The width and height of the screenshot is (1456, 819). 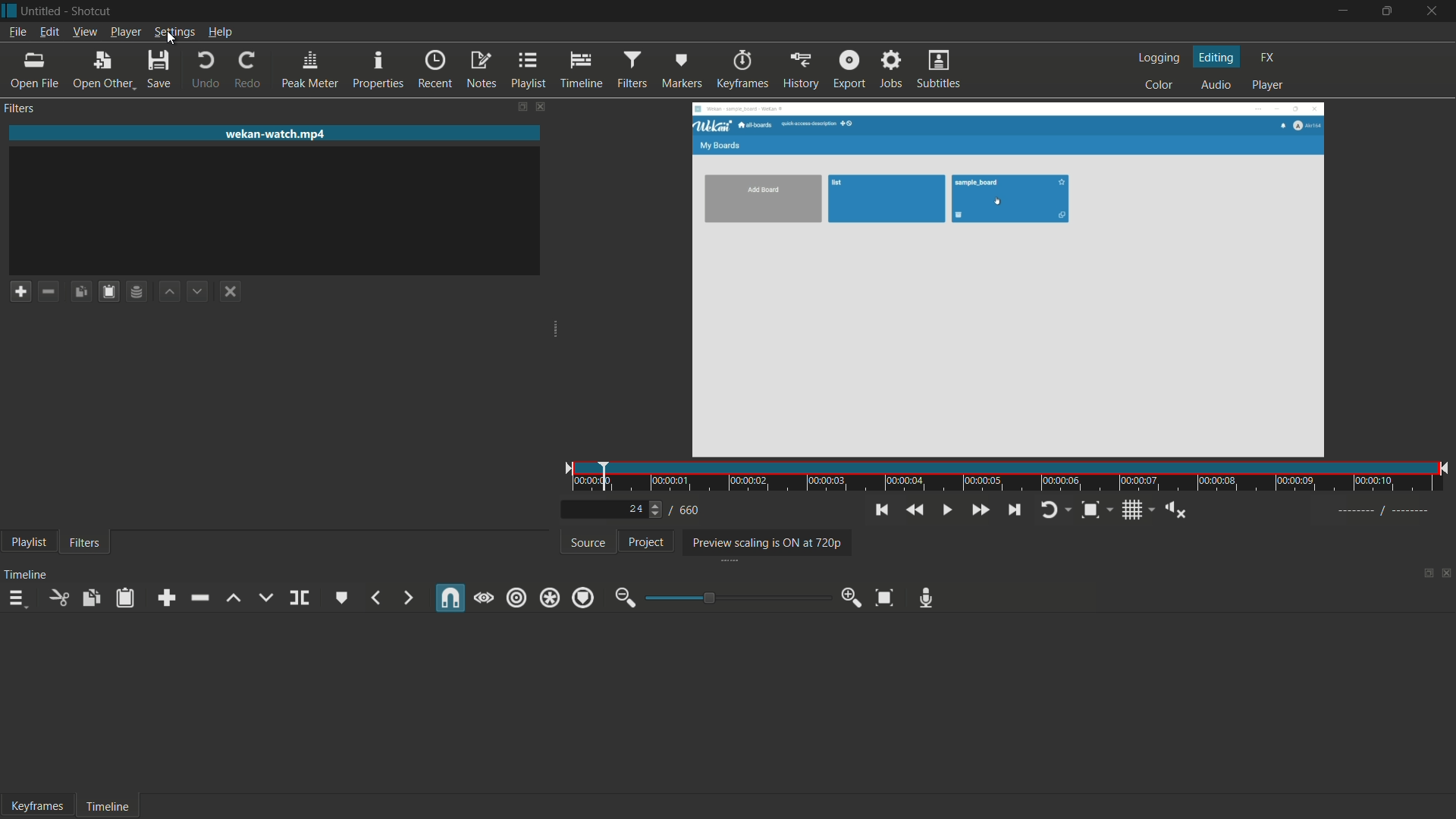 What do you see at coordinates (201, 292) in the screenshot?
I see `move filter down` at bounding box center [201, 292].